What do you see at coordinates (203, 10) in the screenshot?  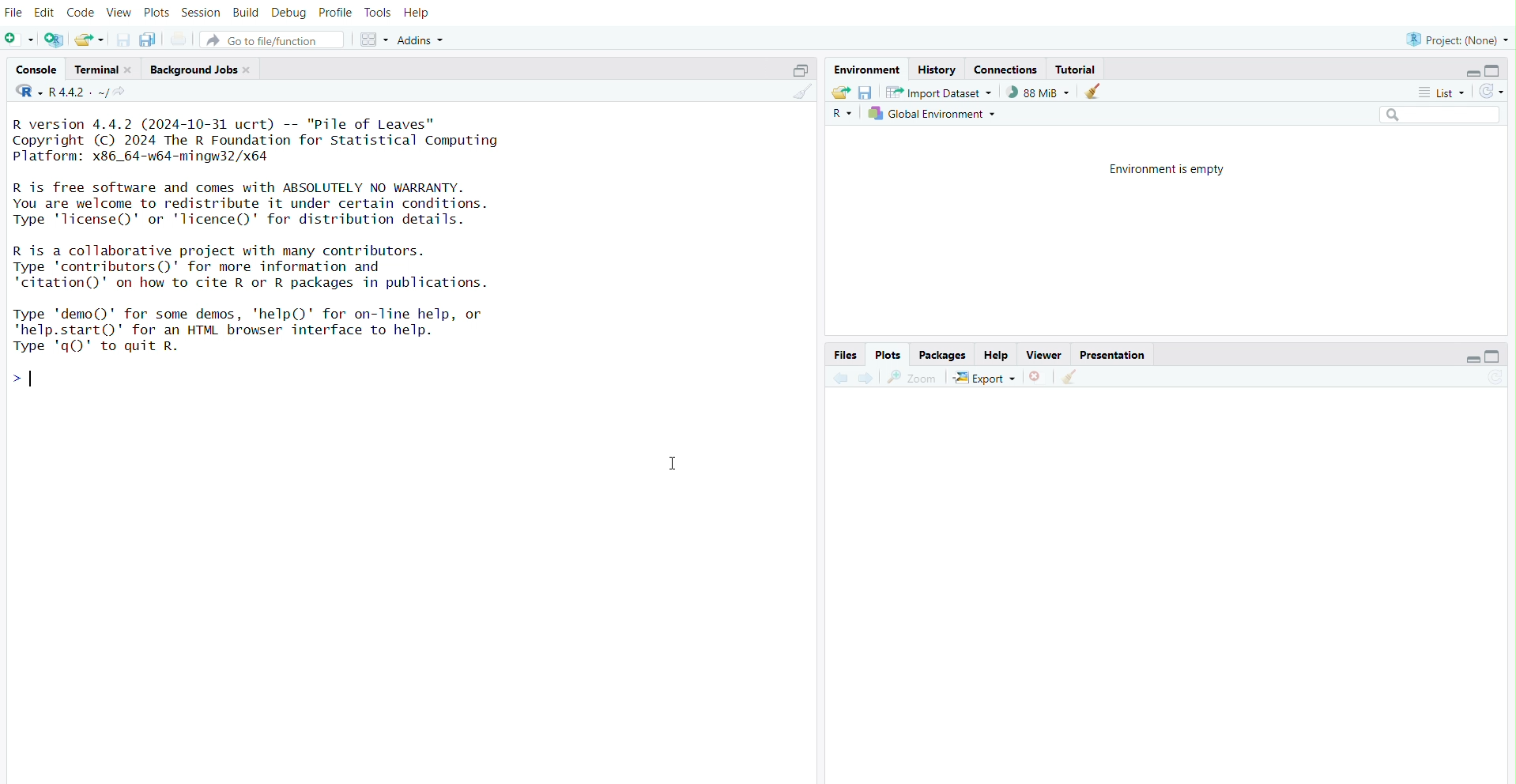 I see `session` at bounding box center [203, 10].